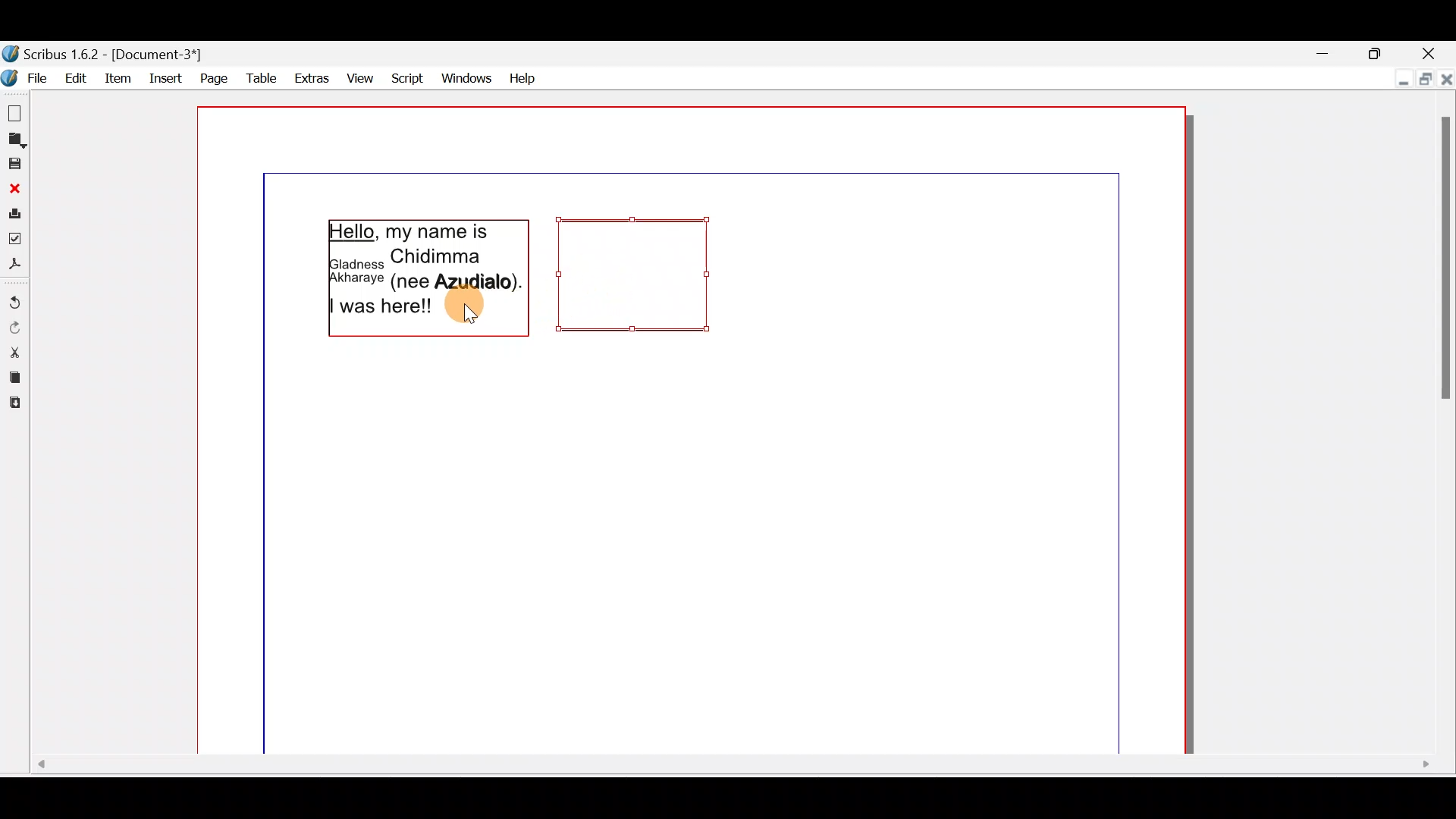  I want to click on Close, so click(14, 188).